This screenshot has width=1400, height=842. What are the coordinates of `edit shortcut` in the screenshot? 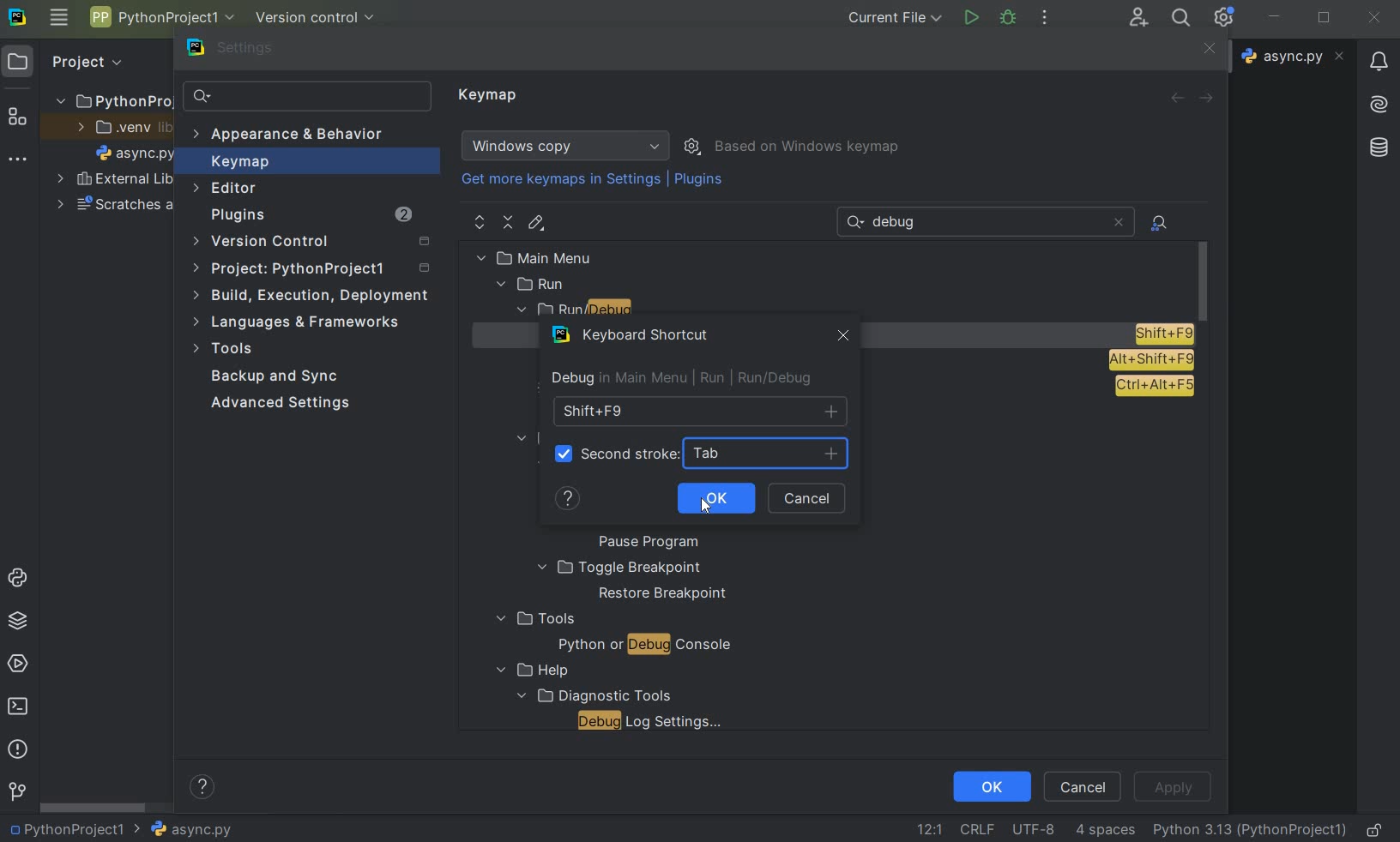 It's located at (535, 223).